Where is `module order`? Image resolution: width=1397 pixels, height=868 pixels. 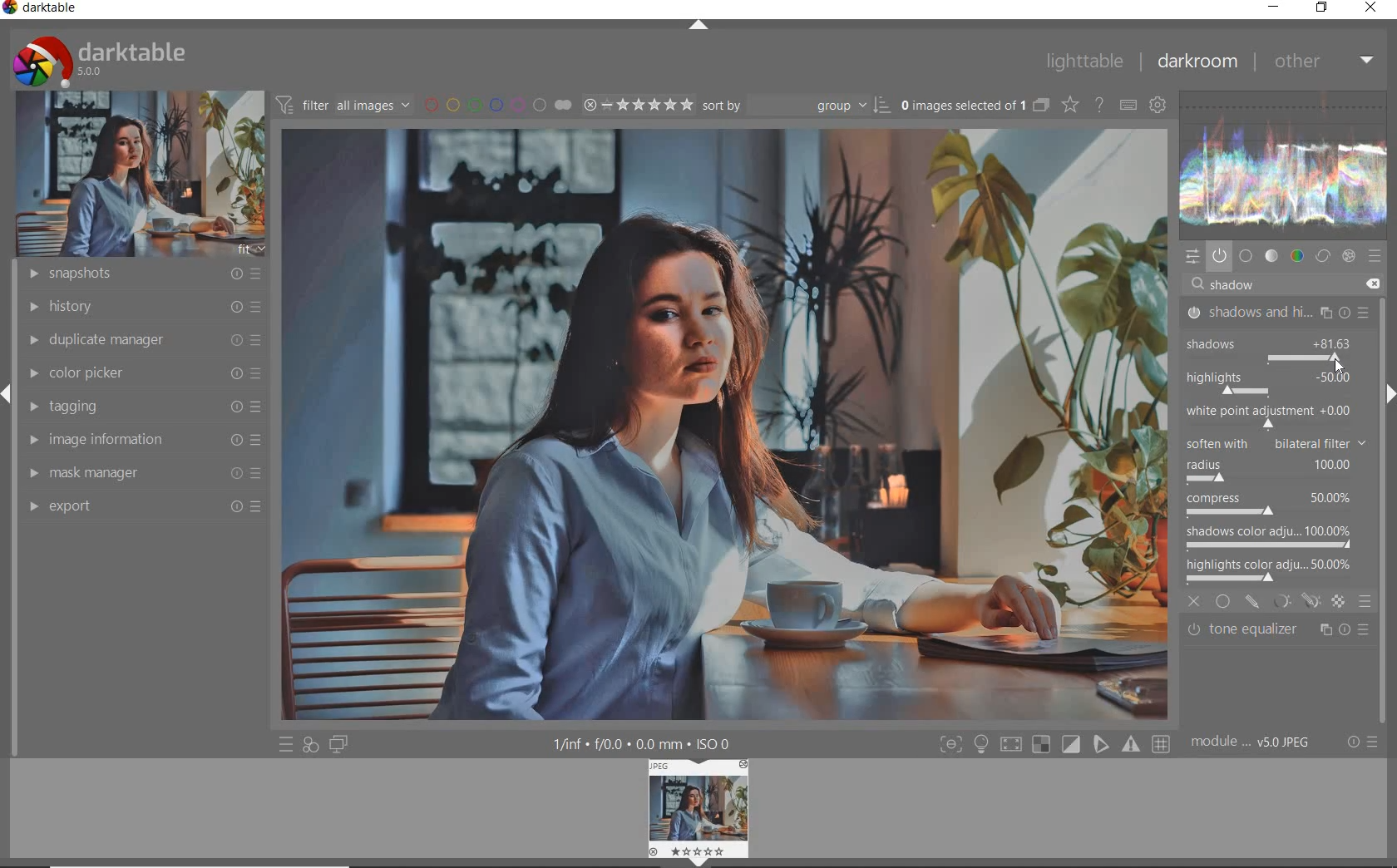 module order is located at coordinates (1256, 744).